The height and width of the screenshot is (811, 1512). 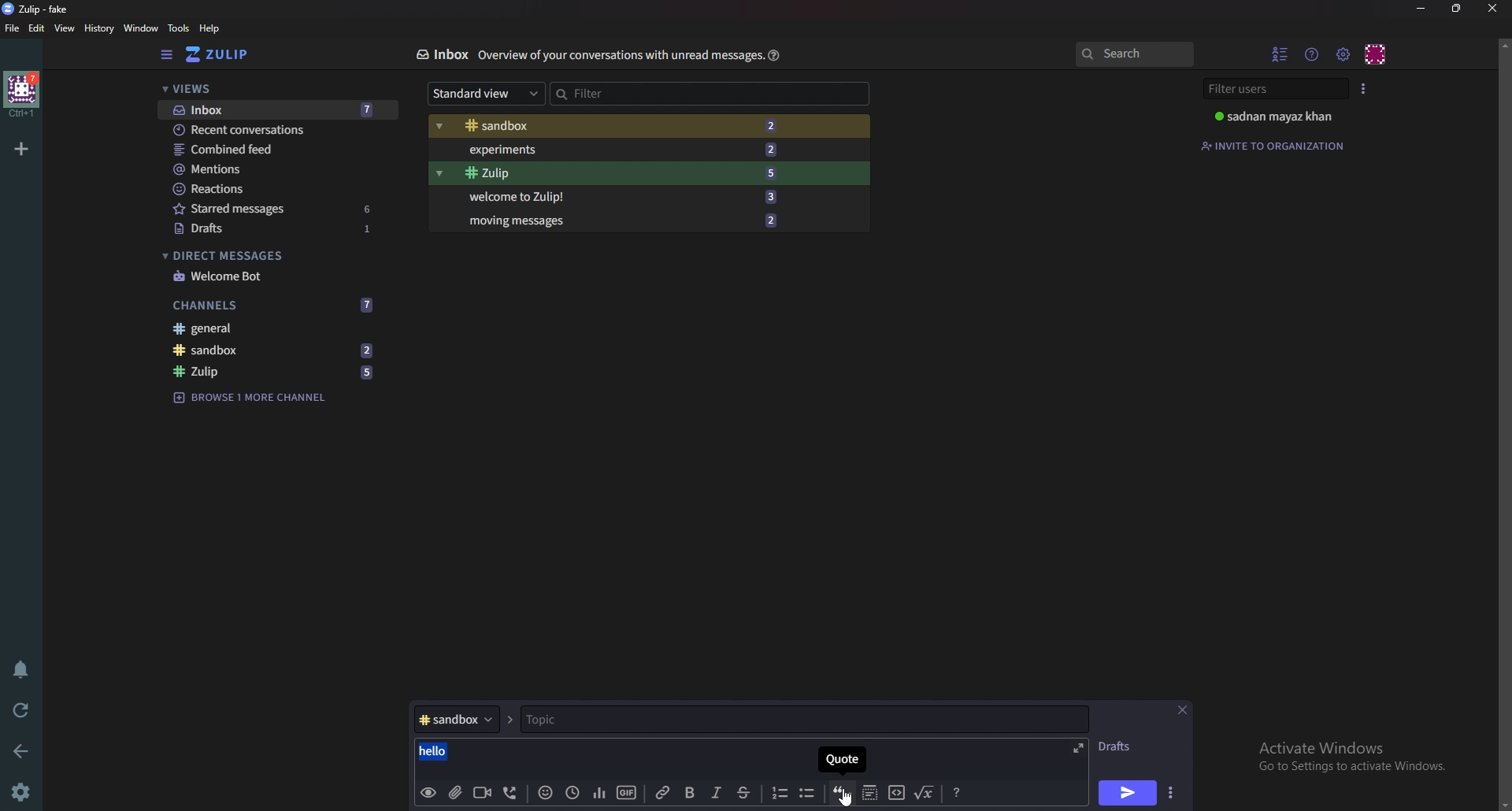 What do you see at coordinates (1118, 747) in the screenshot?
I see `DRAFTS` at bounding box center [1118, 747].